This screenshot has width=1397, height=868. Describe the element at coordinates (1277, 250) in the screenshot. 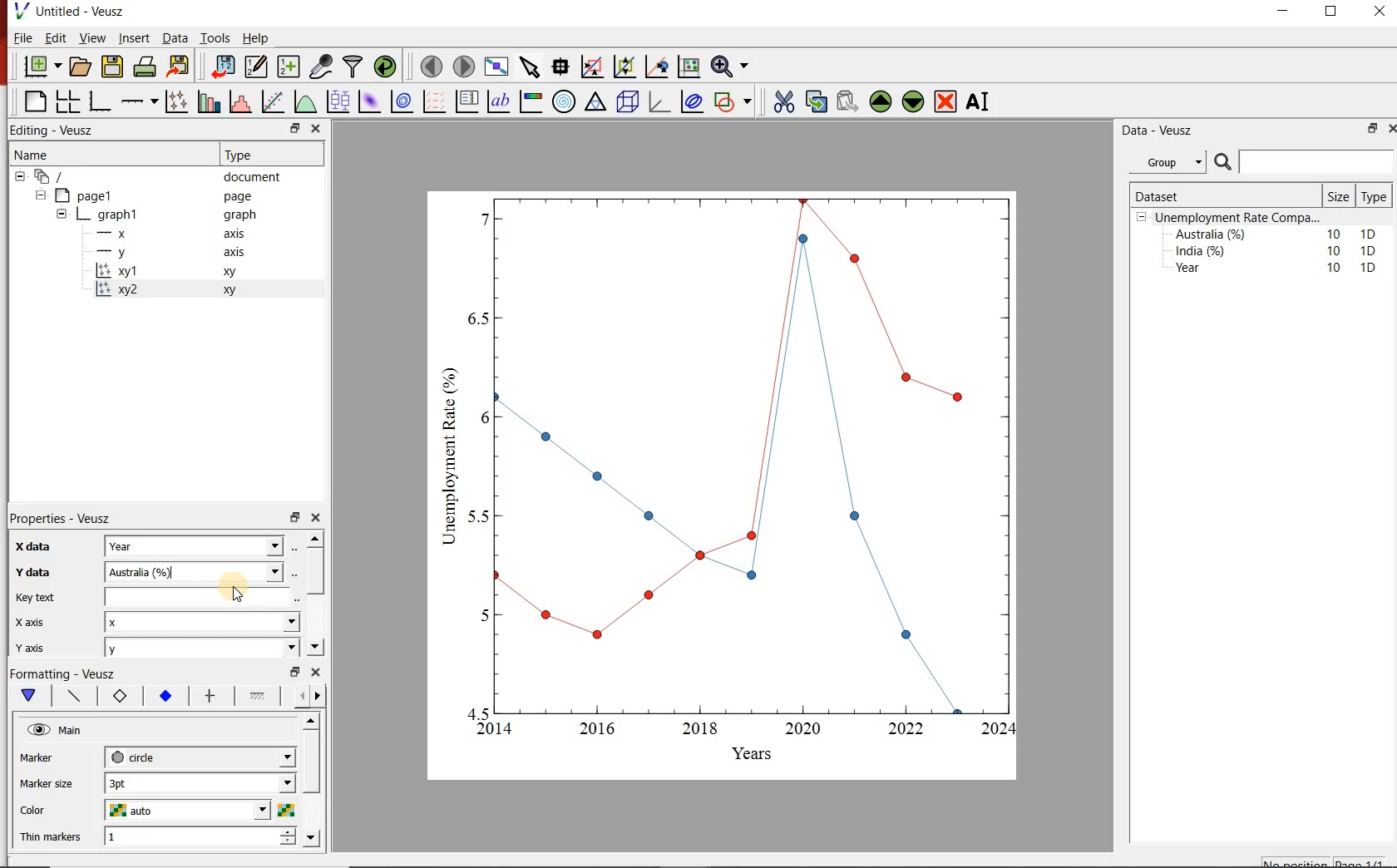

I see `India (%) 10 1D` at that location.